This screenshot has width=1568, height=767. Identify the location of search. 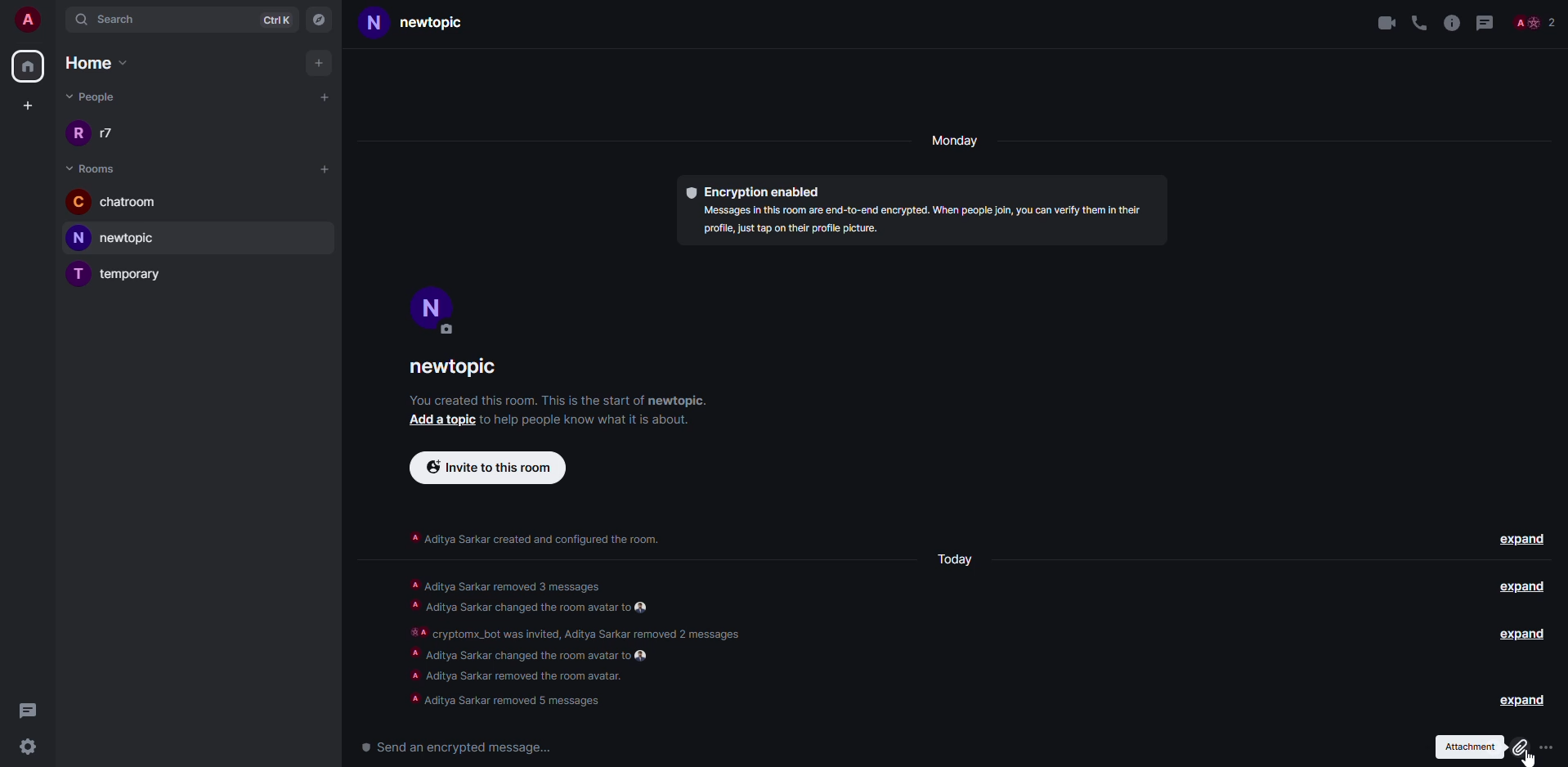
(119, 18).